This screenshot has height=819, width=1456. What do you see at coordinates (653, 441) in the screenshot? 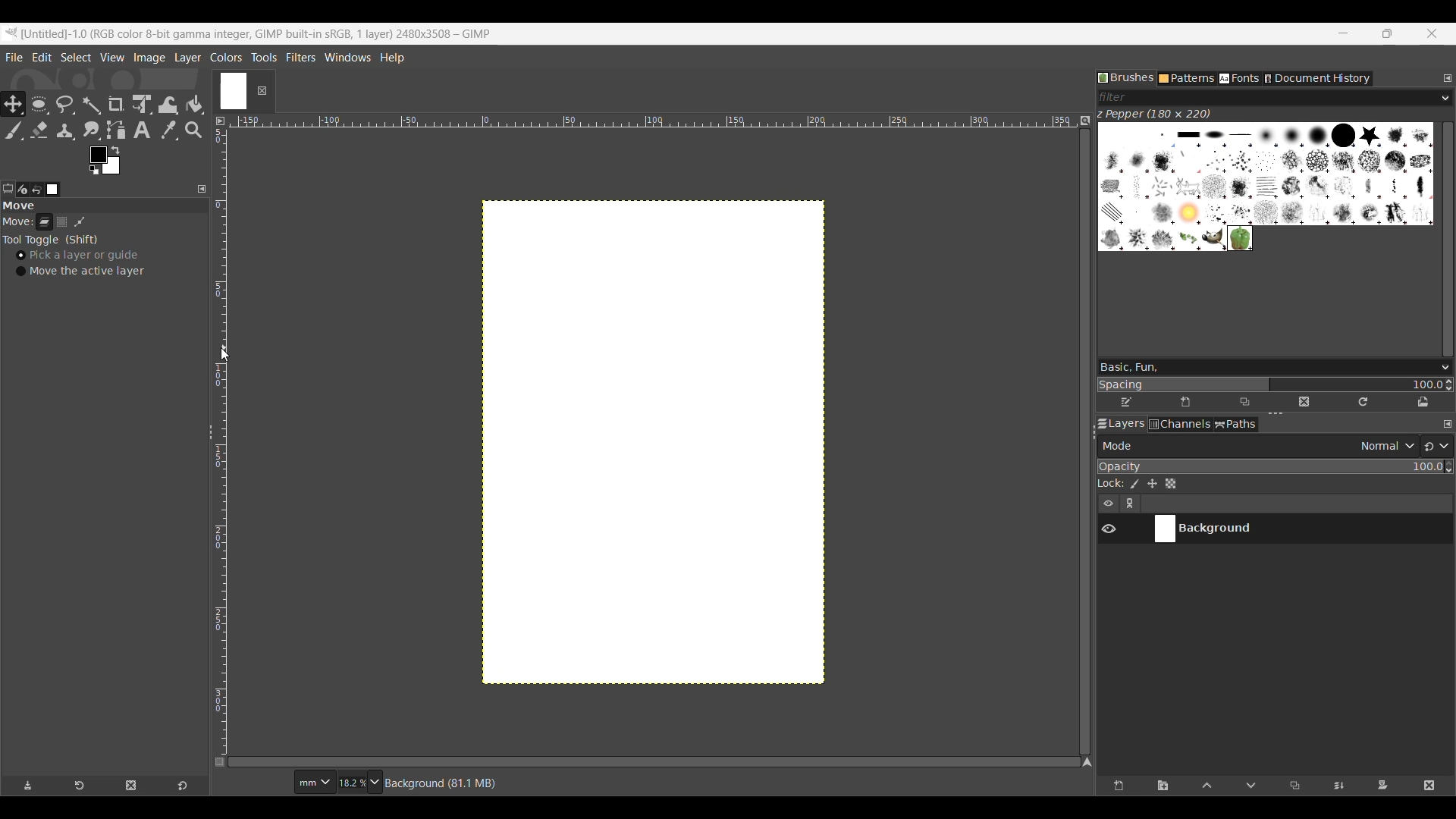
I see `Canvas space` at bounding box center [653, 441].